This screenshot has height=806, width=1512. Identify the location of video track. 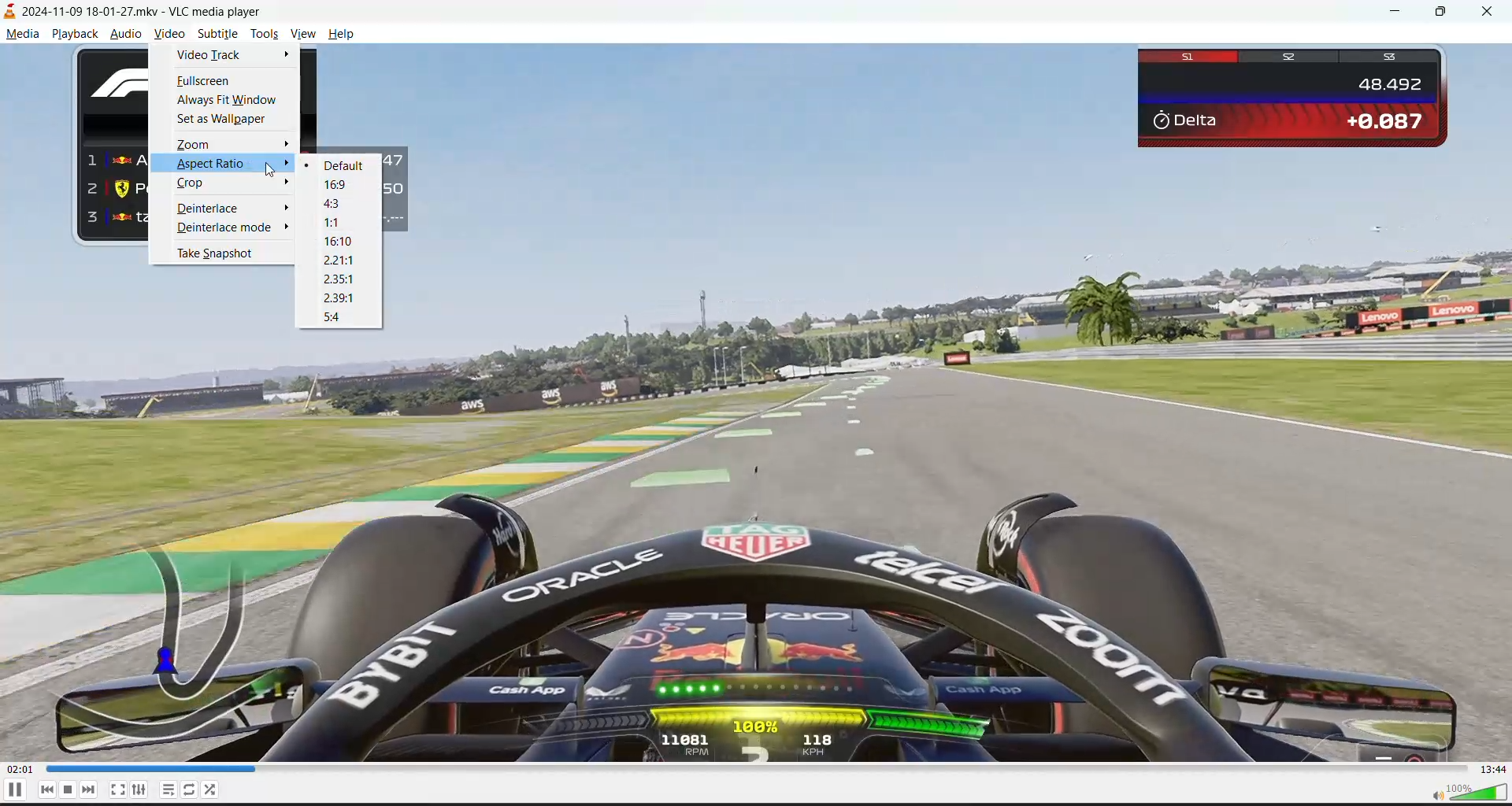
(209, 57).